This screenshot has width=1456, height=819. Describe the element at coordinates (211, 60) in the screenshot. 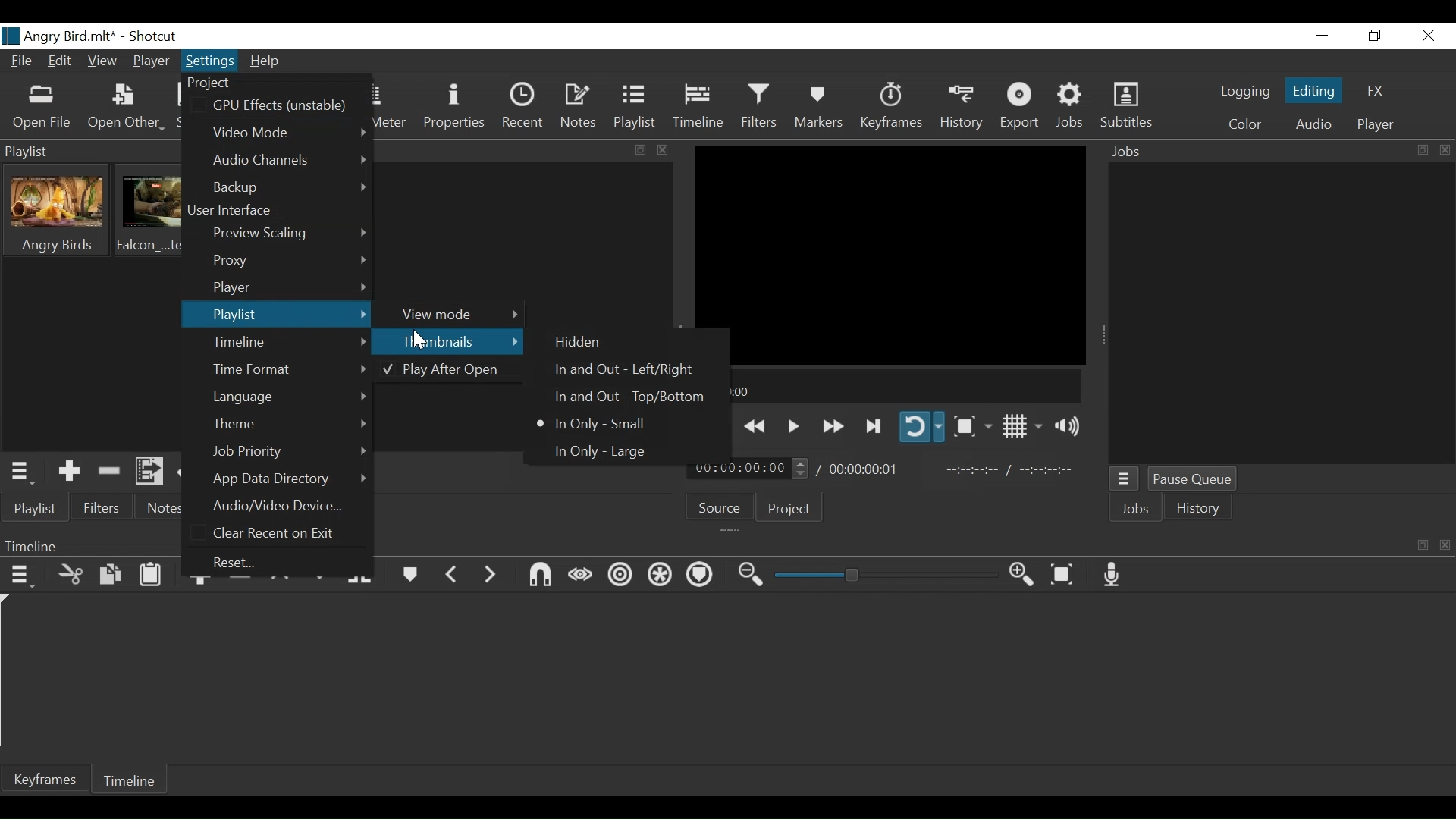

I see `Settings` at that location.